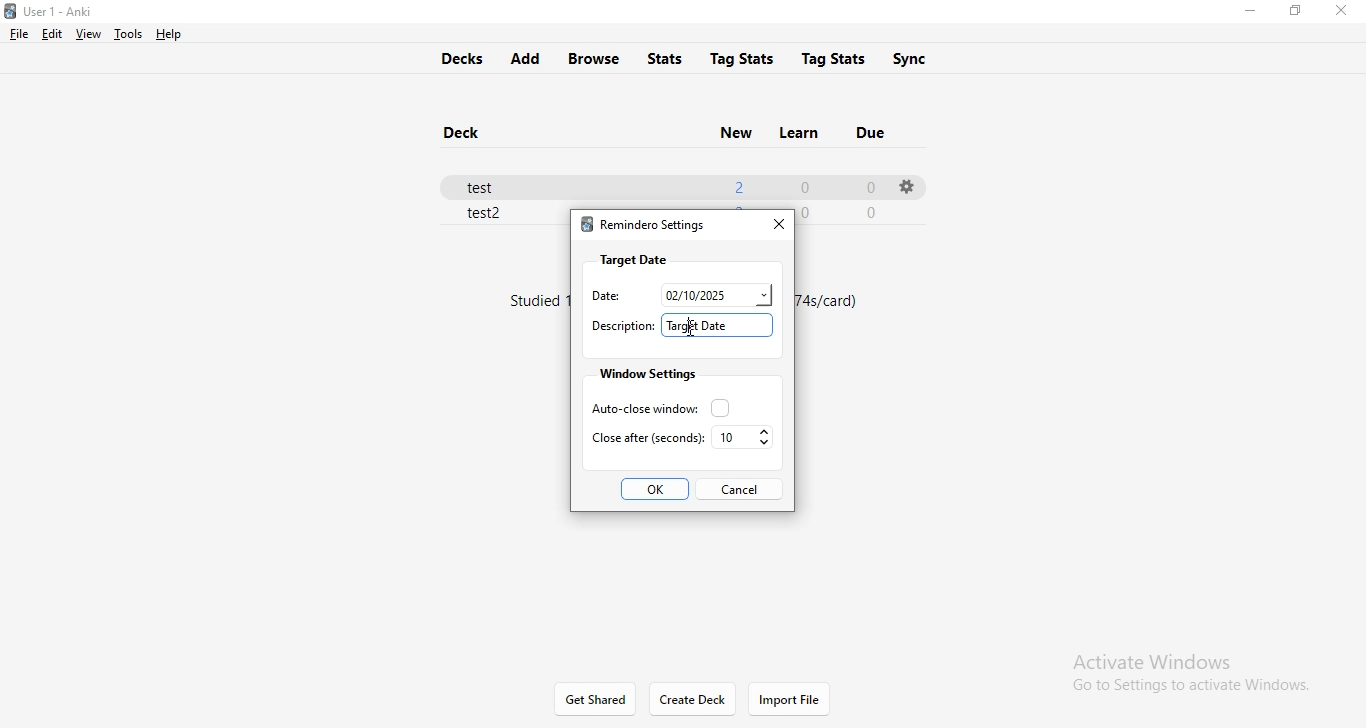  What do you see at coordinates (874, 130) in the screenshot?
I see `due` at bounding box center [874, 130].